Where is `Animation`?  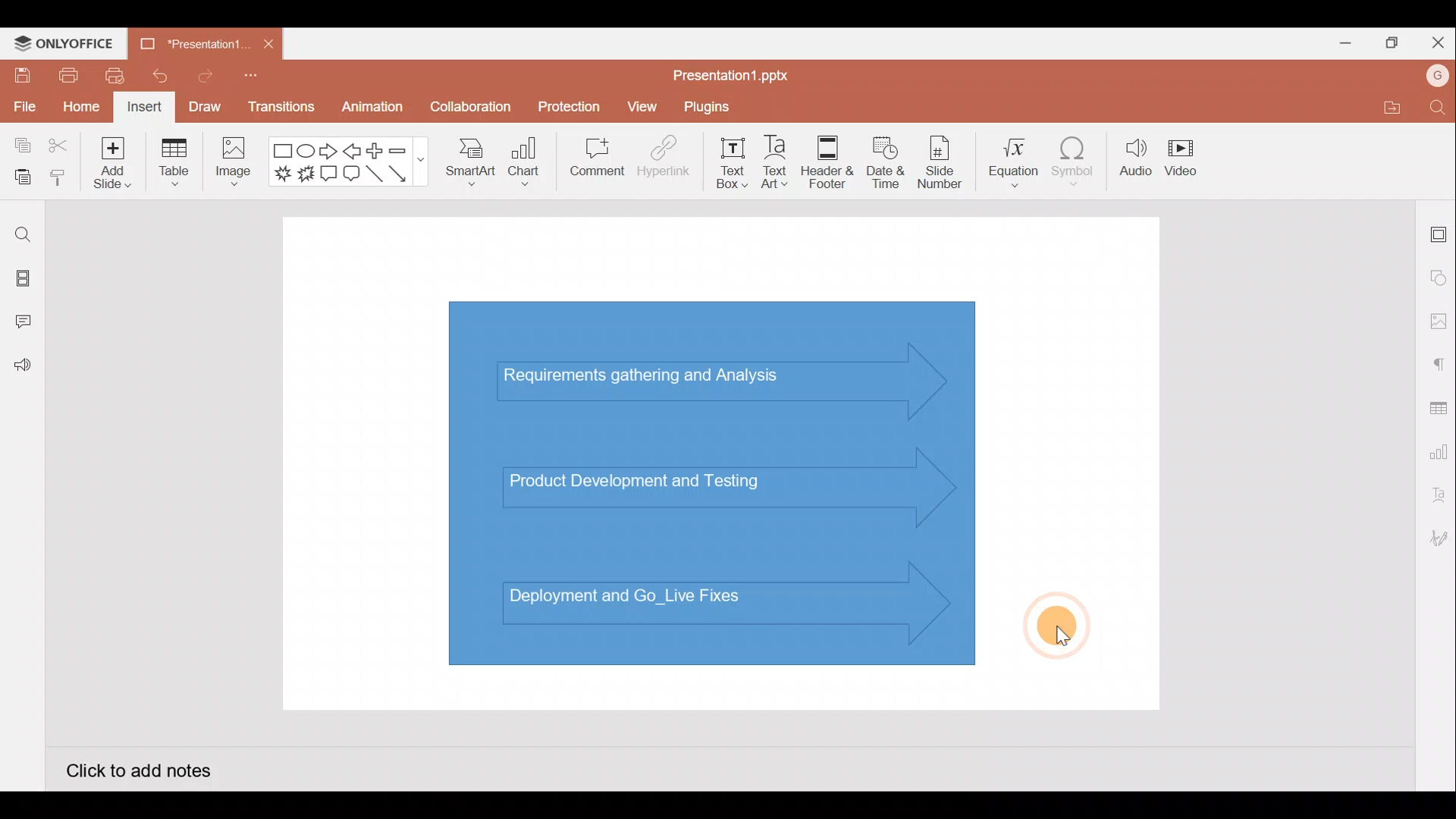
Animation is located at coordinates (374, 111).